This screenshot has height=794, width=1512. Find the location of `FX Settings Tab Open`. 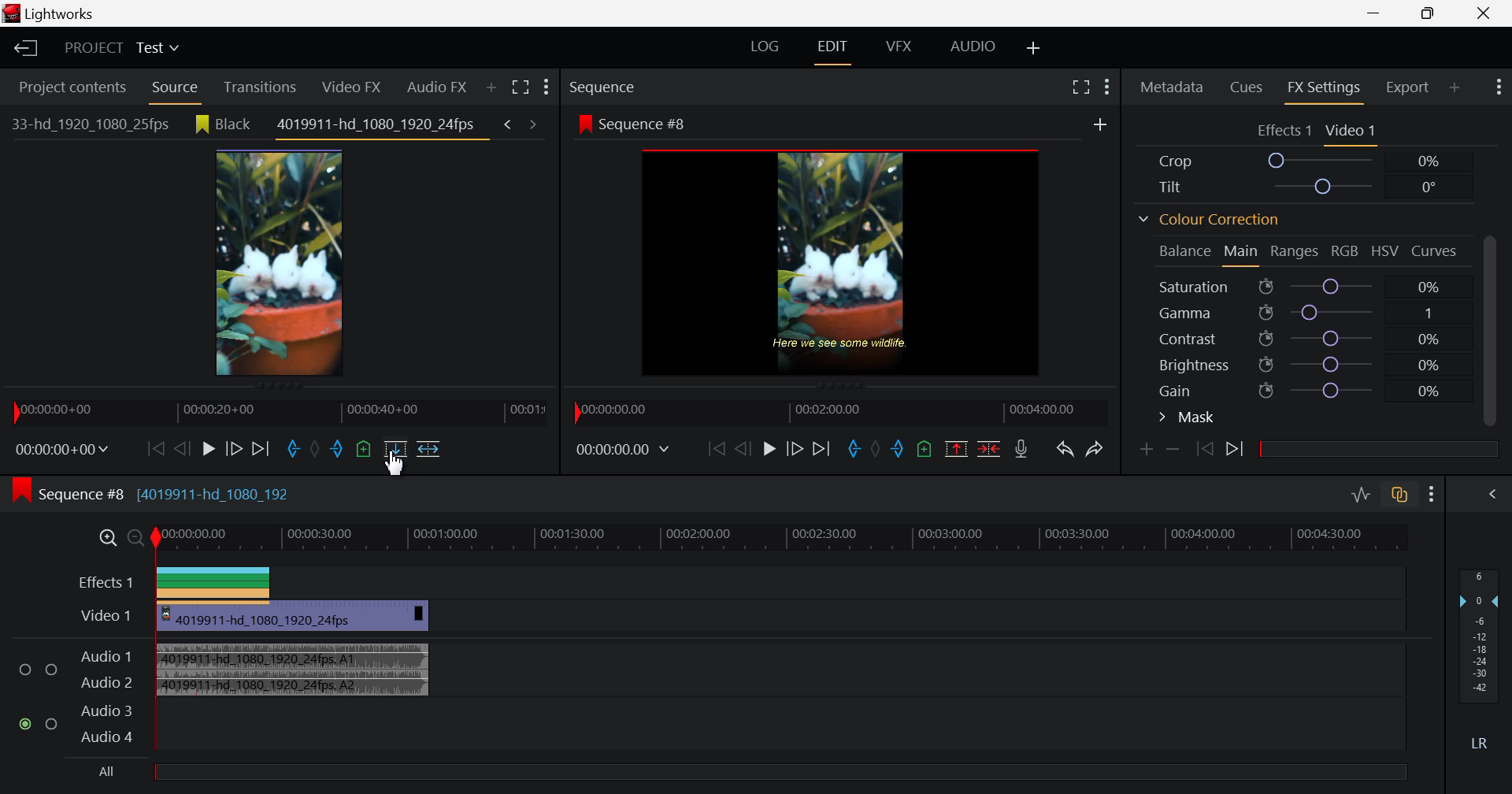

FX Settings Tab Open is located at coordinates (1323, 88).